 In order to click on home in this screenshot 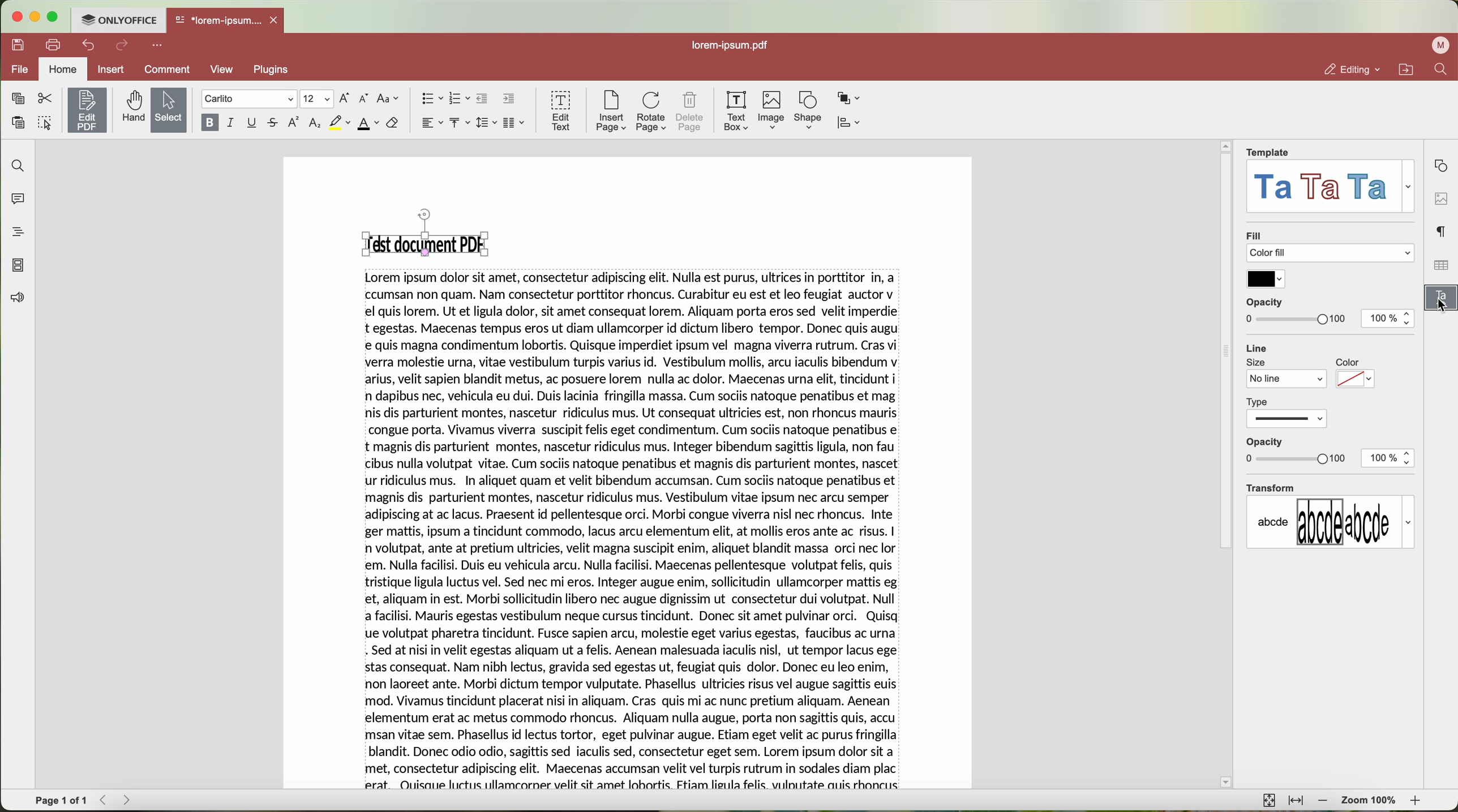, I will do `click(64, 69)`.